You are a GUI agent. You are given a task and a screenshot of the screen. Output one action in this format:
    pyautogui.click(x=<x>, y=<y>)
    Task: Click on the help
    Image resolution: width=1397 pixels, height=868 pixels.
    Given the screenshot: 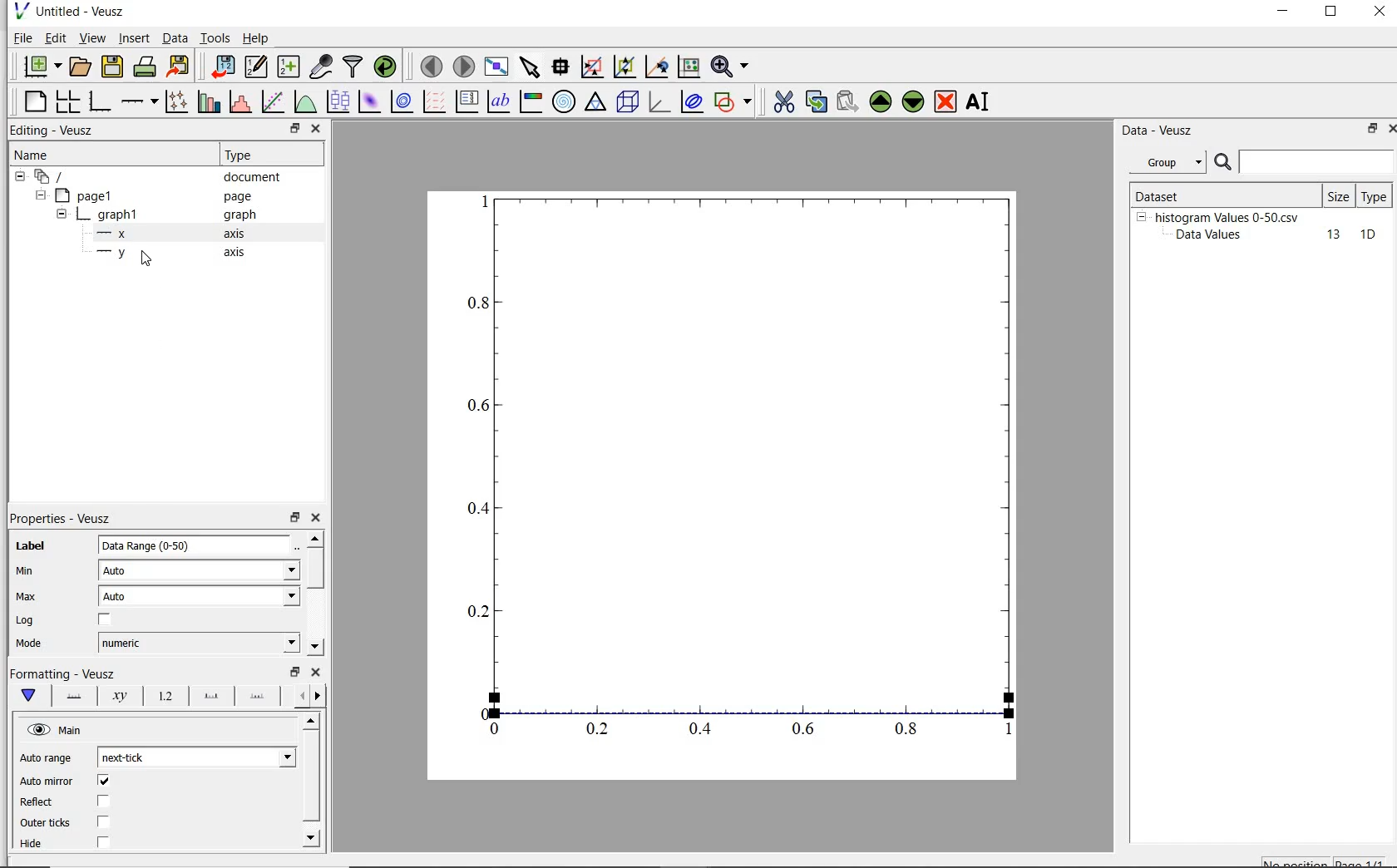 What is the action you would take?
    pyautogui.click(x=259, y=38)
    